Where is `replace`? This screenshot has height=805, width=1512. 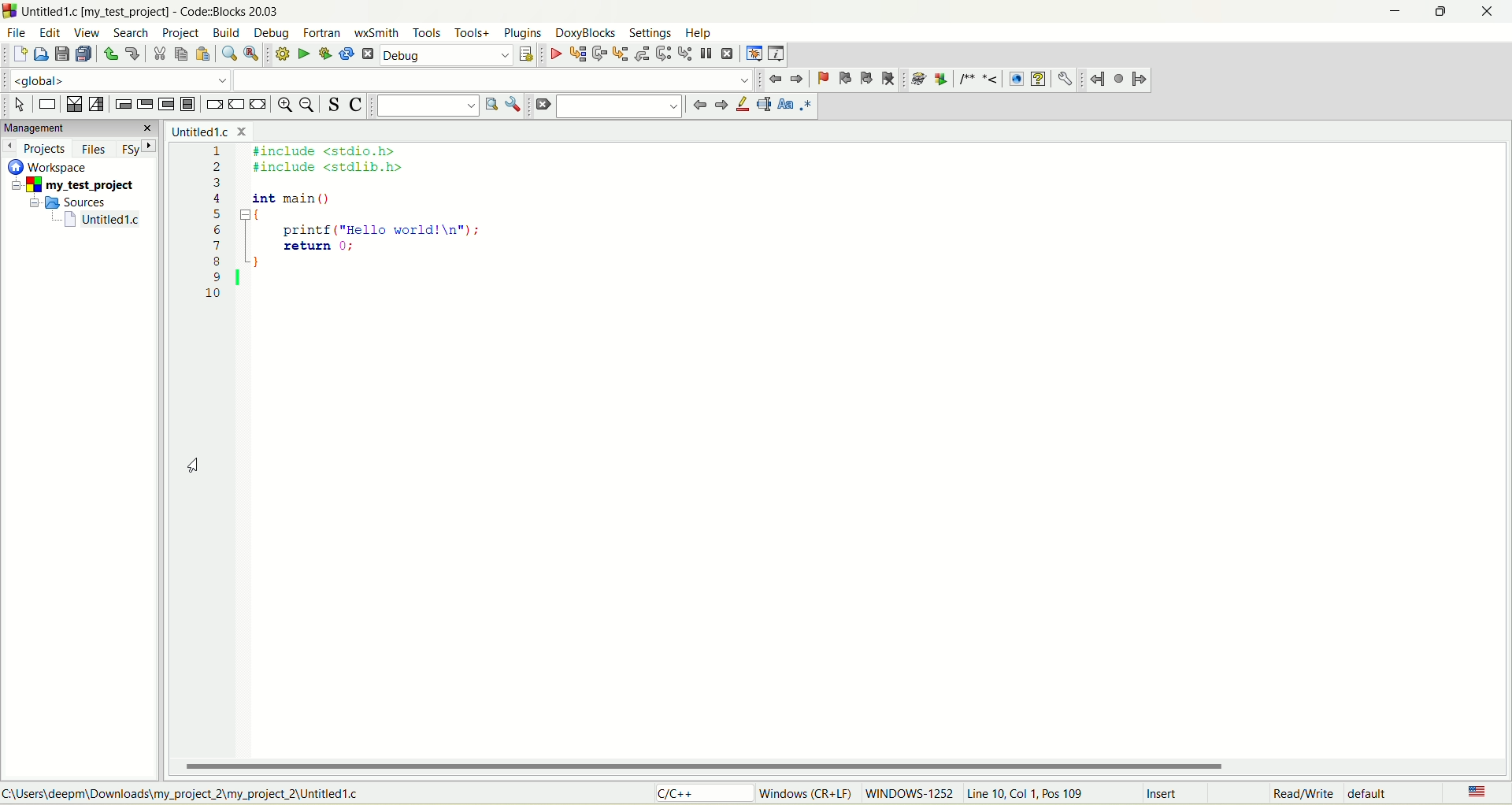 replace is located at coordinates (255, 54).